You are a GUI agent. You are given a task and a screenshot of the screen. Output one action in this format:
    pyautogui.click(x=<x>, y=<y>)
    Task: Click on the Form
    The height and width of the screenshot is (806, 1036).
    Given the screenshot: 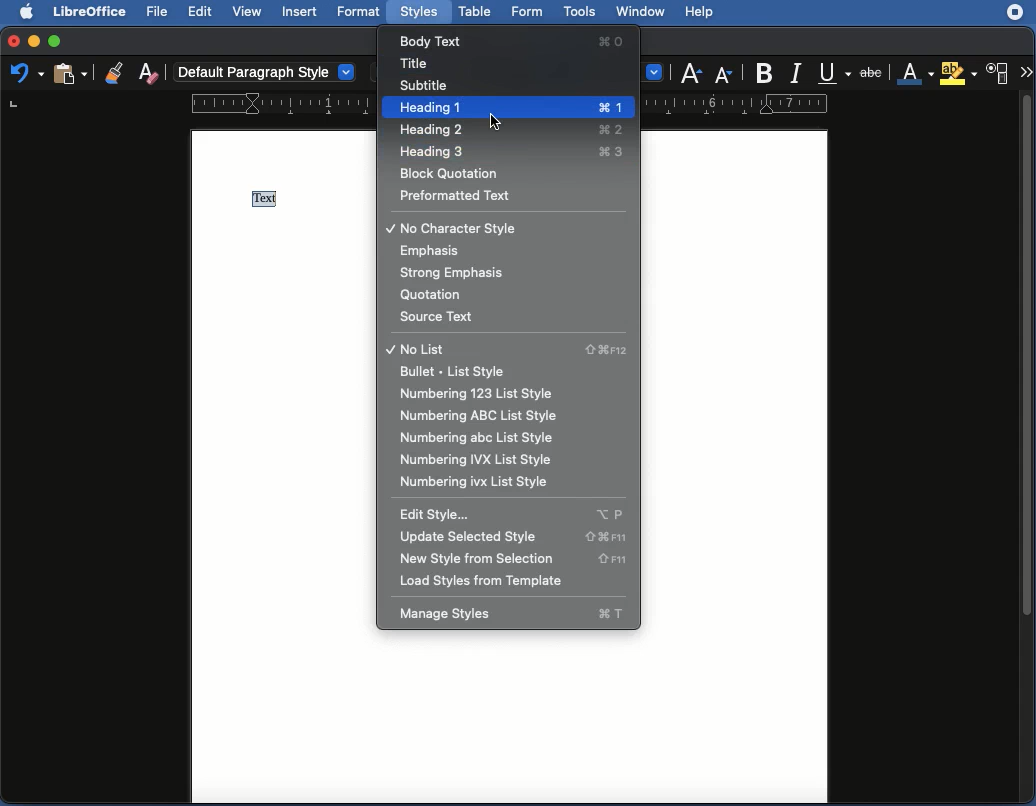 What is the action you would take?
    pyautogui.click(x=528, y=14)
    